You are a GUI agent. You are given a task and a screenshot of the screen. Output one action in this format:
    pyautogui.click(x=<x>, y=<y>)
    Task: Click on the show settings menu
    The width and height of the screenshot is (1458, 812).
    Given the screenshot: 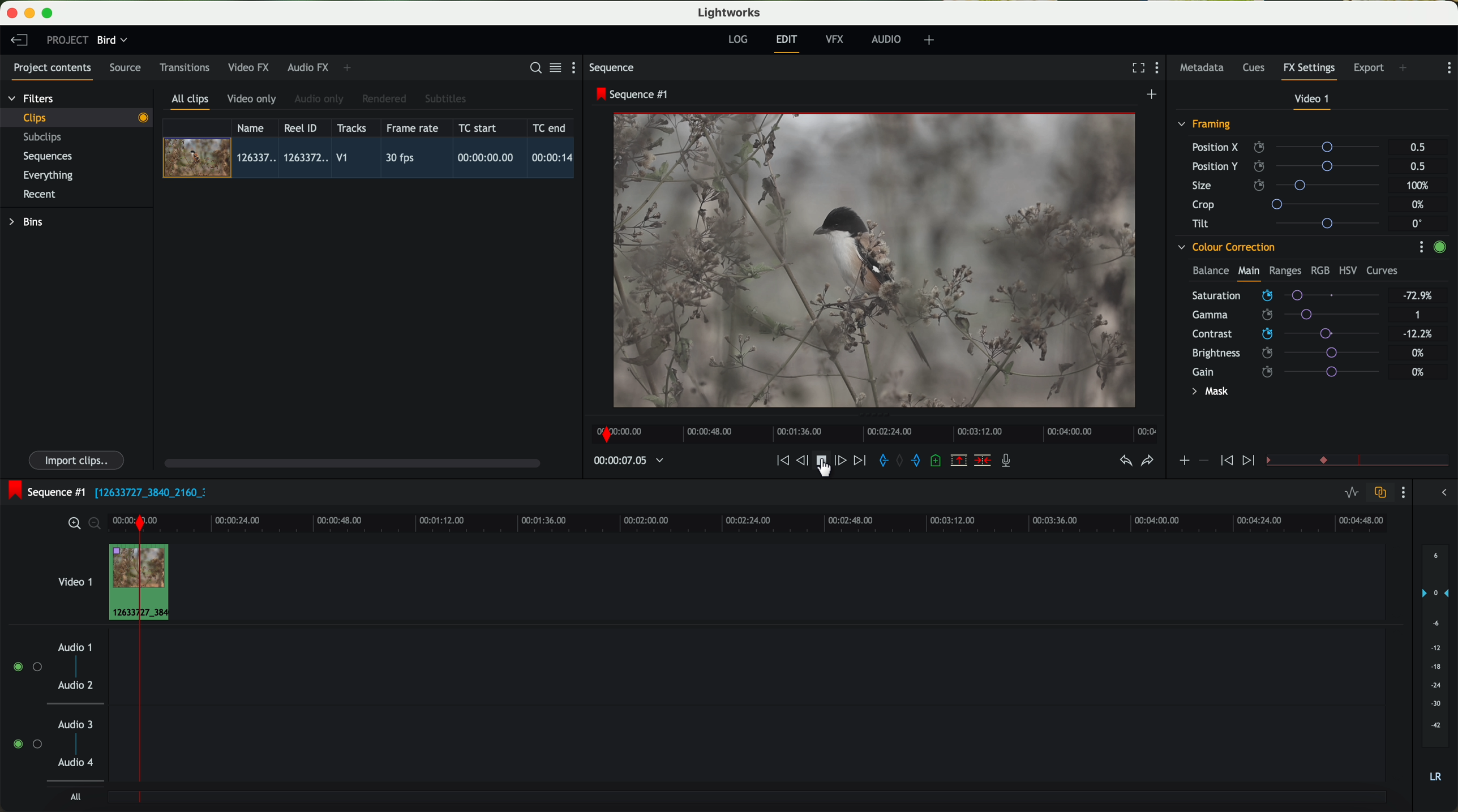 What is the action you would take?
    pyautogui.click(x=1160, y=69)
    